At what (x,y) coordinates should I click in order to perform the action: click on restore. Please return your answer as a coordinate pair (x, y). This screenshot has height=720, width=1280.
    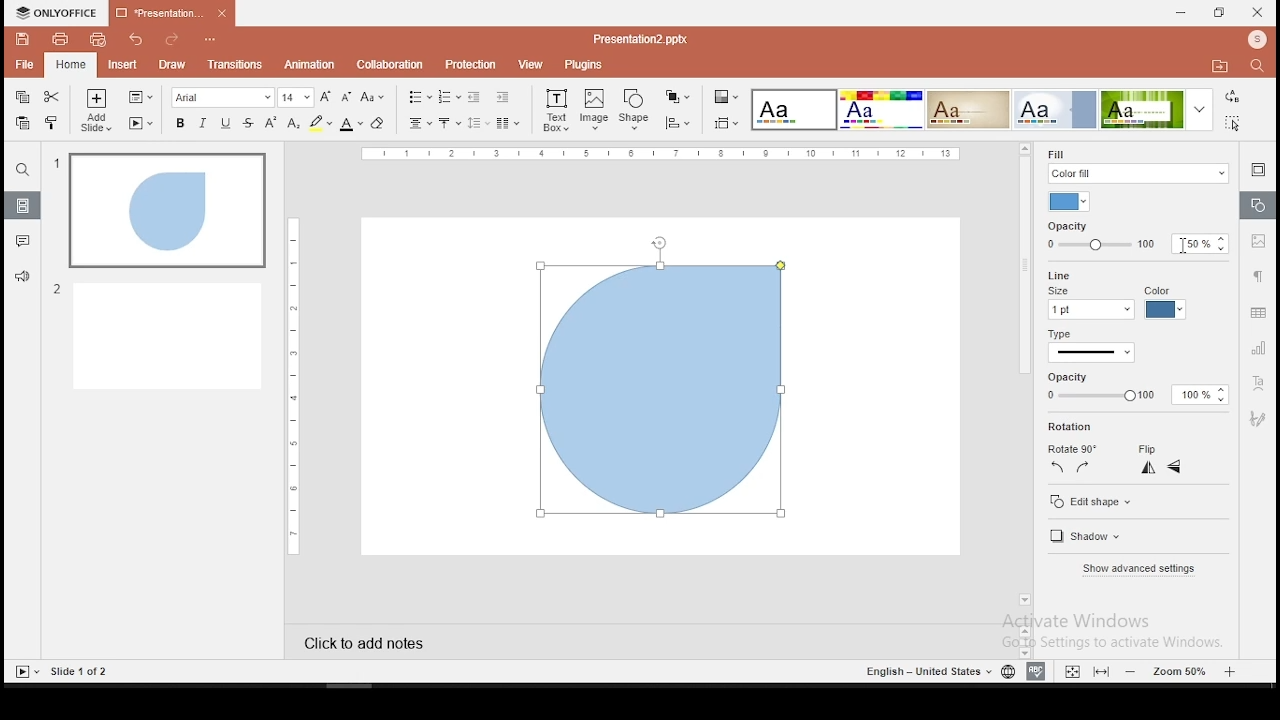
    Looking at the image, I should click on (1218, 14).